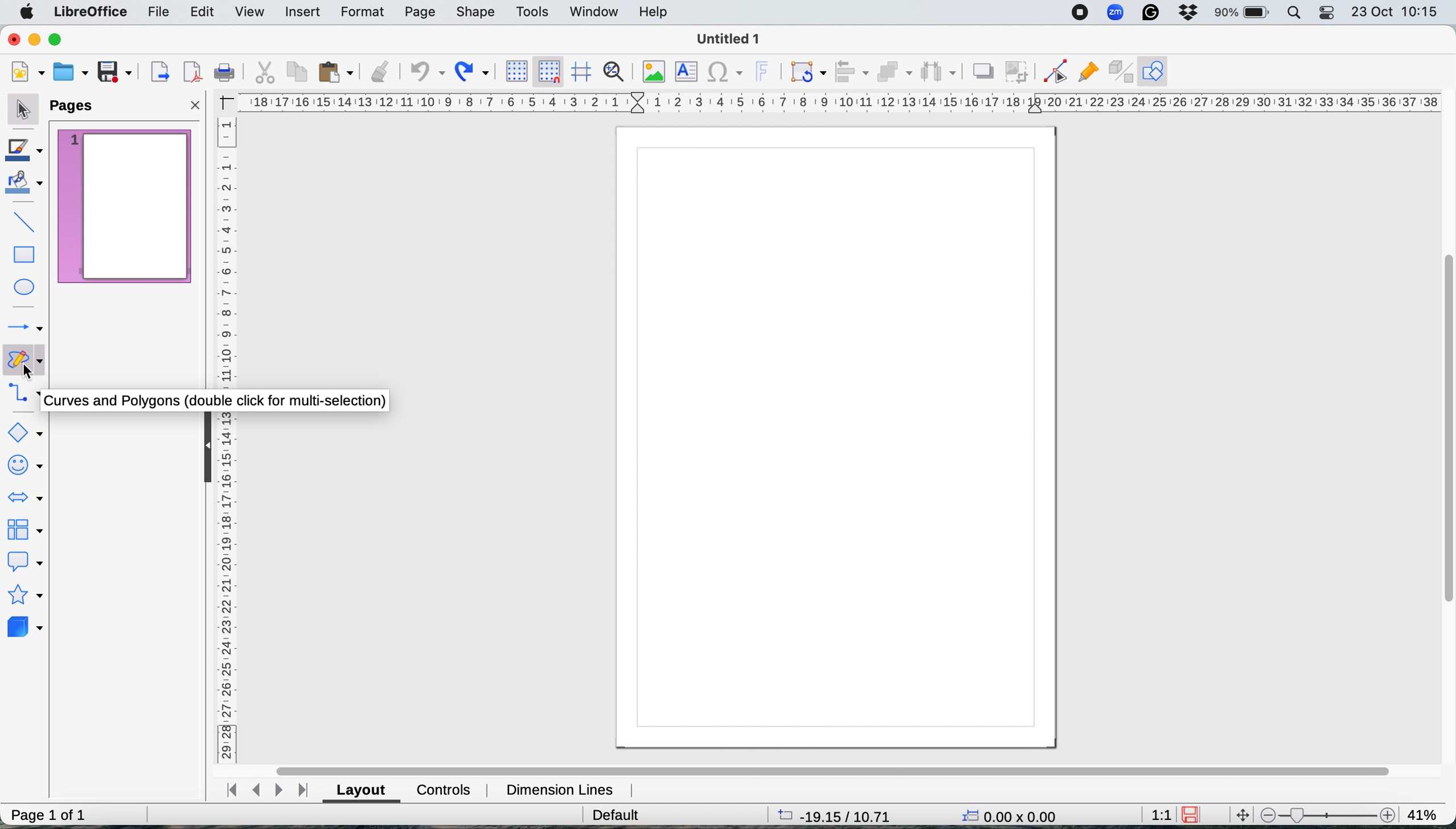 The height and width of the screenshot is (829, 1456). I want to click on print, so click(225, 72).